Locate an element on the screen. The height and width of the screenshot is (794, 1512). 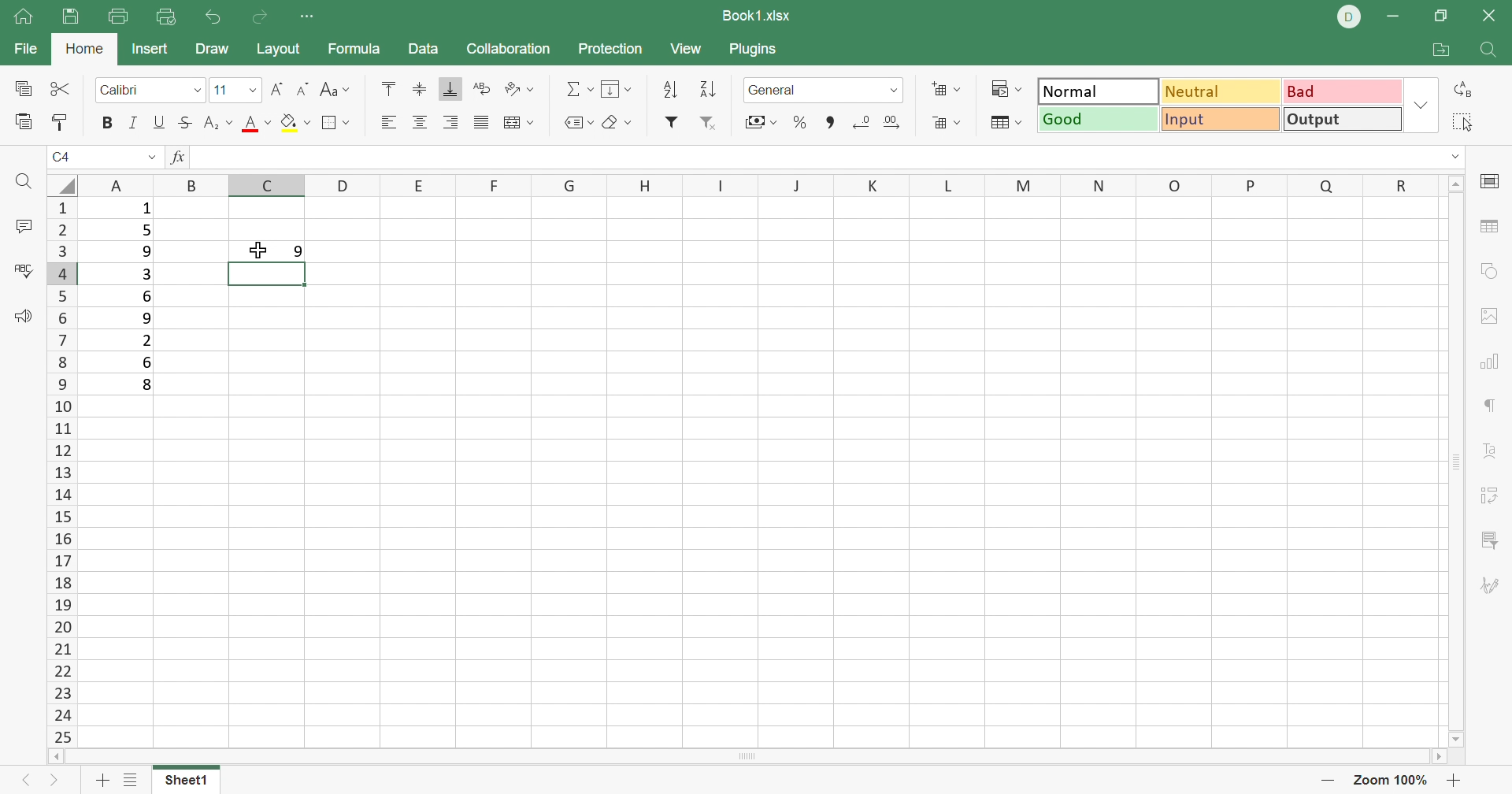
Comma style is located at coordinates (832, 122).